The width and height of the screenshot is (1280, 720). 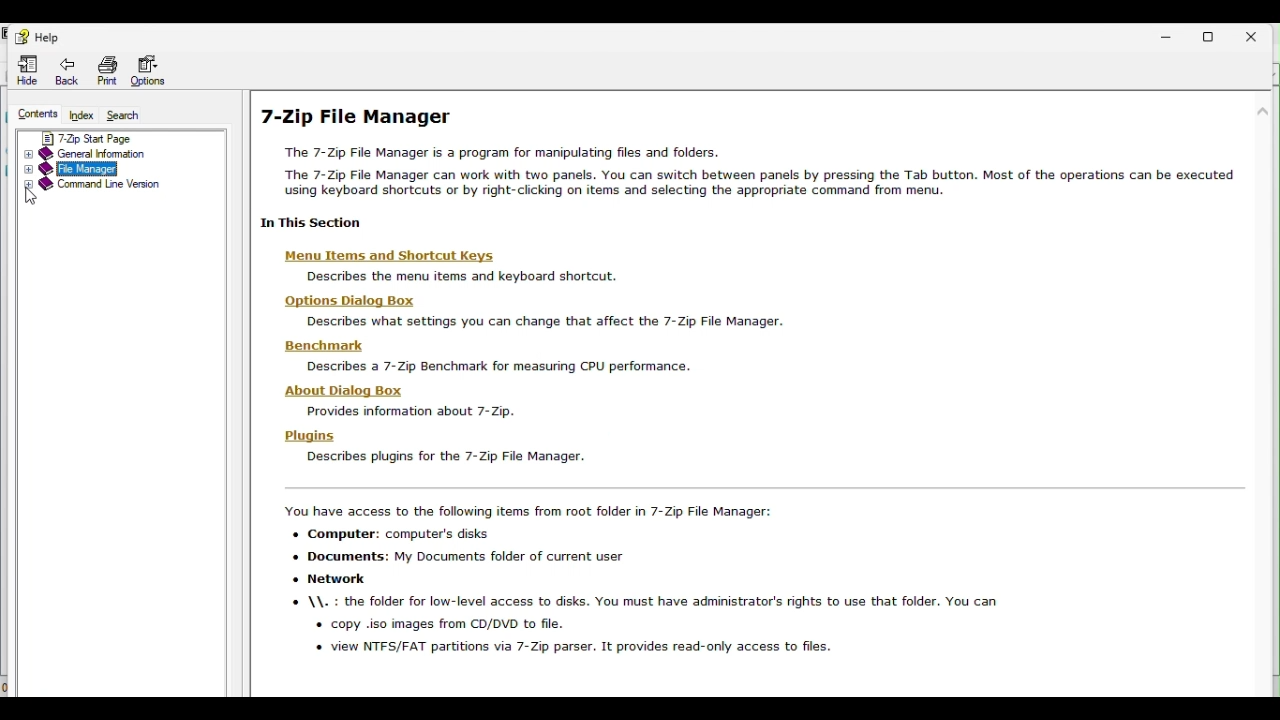 I want to click on Contents, so click(x=34, y=114).